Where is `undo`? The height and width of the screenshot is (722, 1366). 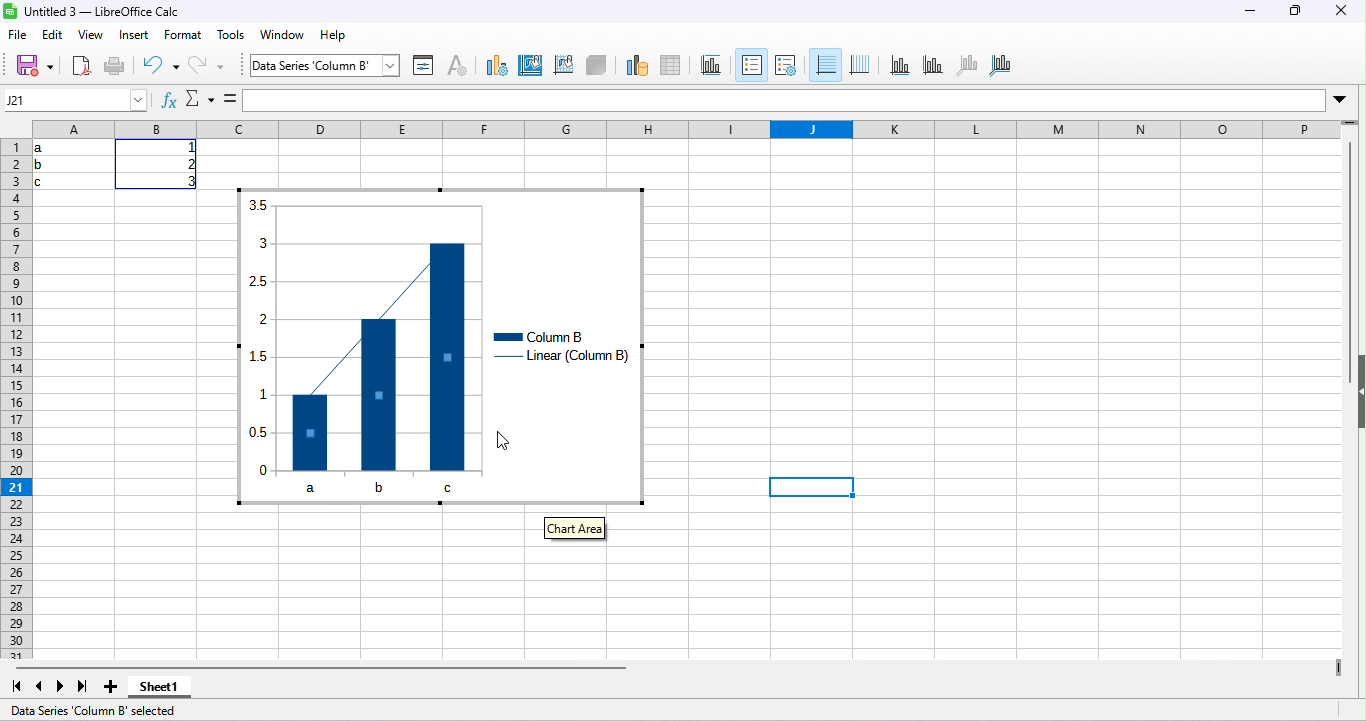
undo is located at coordinates (163, 70).